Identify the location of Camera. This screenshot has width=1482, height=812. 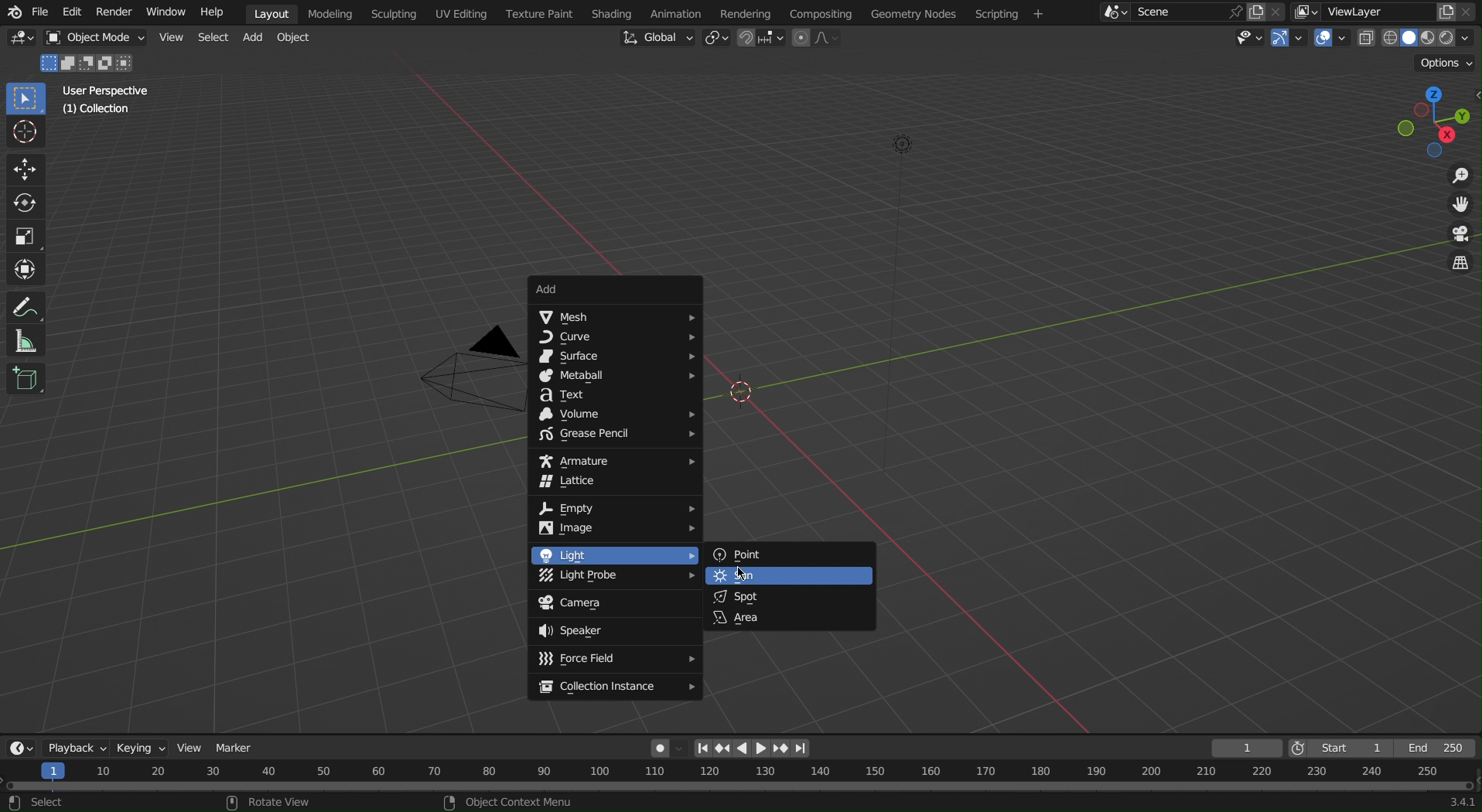
(614, 604).